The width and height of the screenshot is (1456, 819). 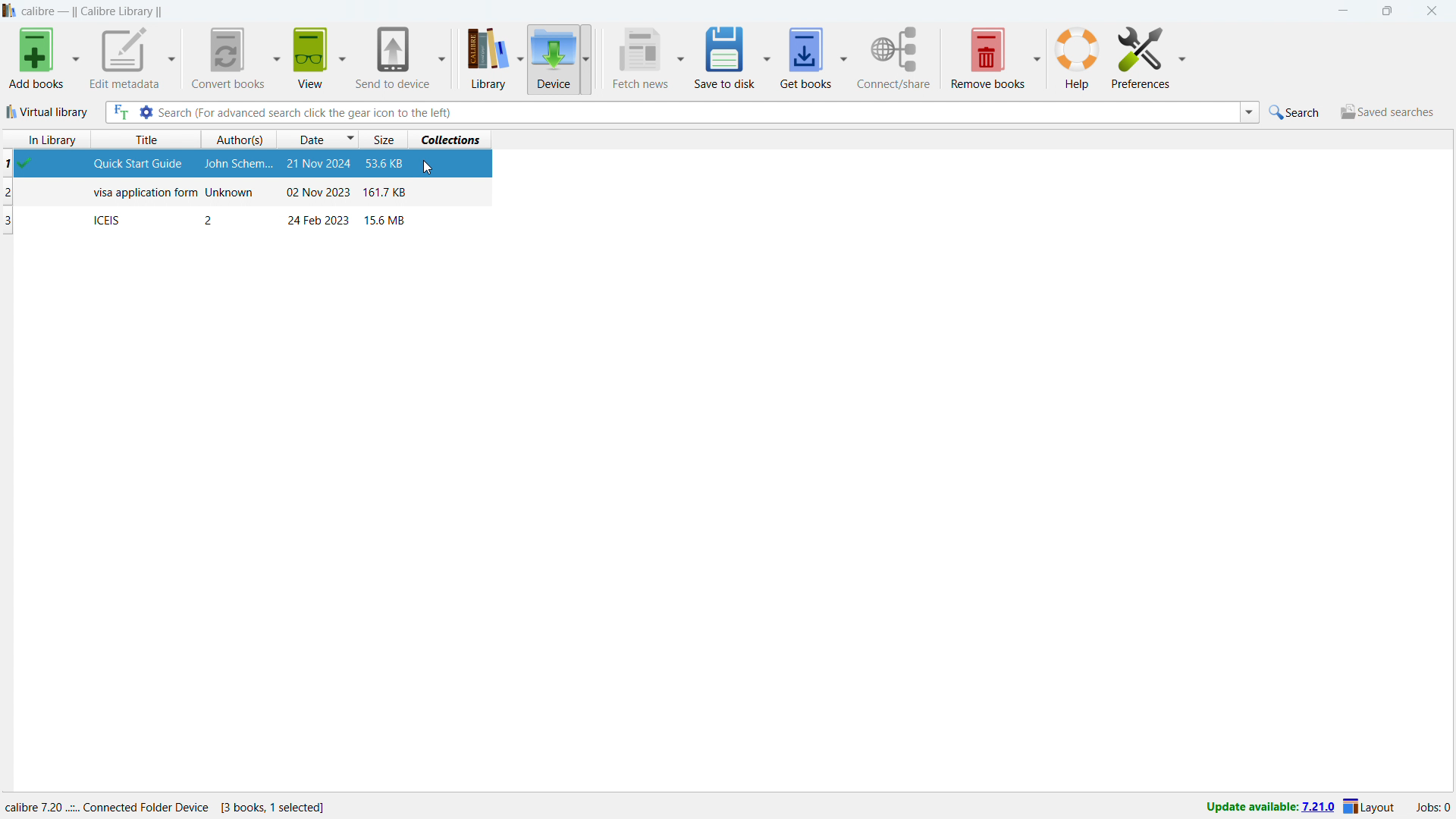 What do you see at coordinates (520, 60) in the screenshot?
I see `library options` at bounding box center [520, 60].